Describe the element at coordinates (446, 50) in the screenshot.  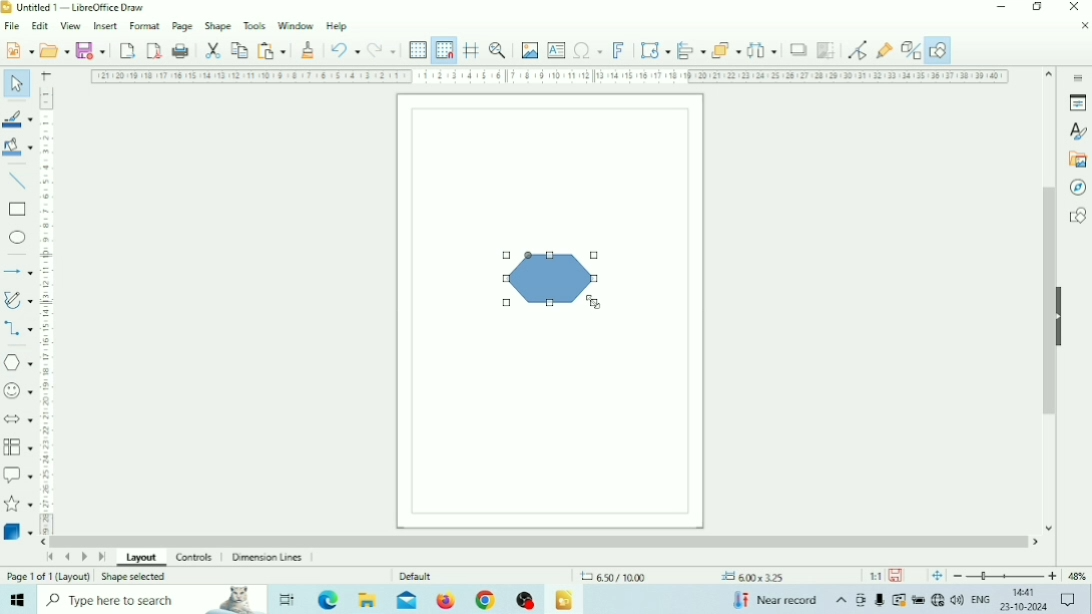
I see `Snap to Grid` at that location.